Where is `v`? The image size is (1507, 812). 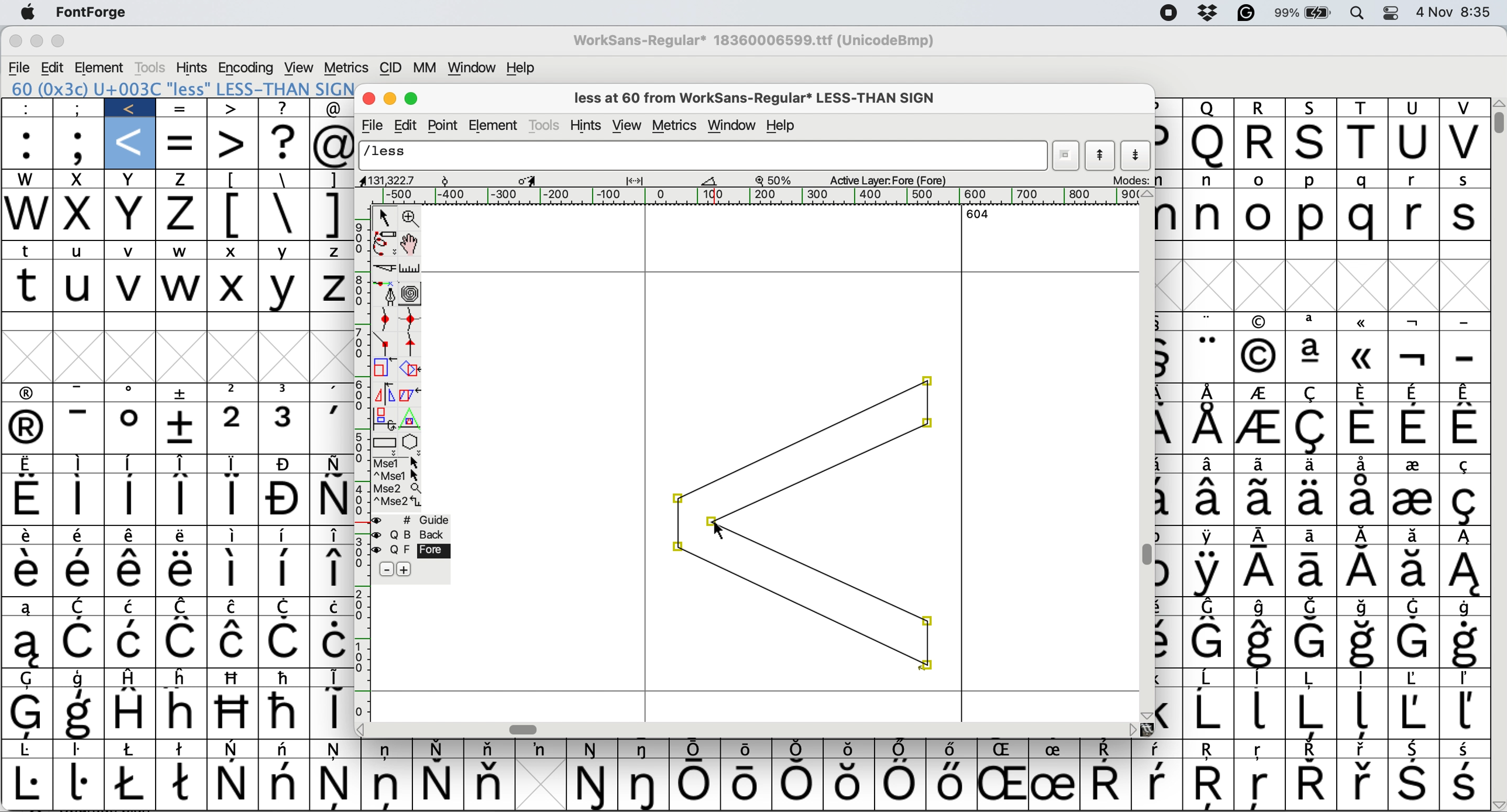 v is located at coordinates (1462, 143).